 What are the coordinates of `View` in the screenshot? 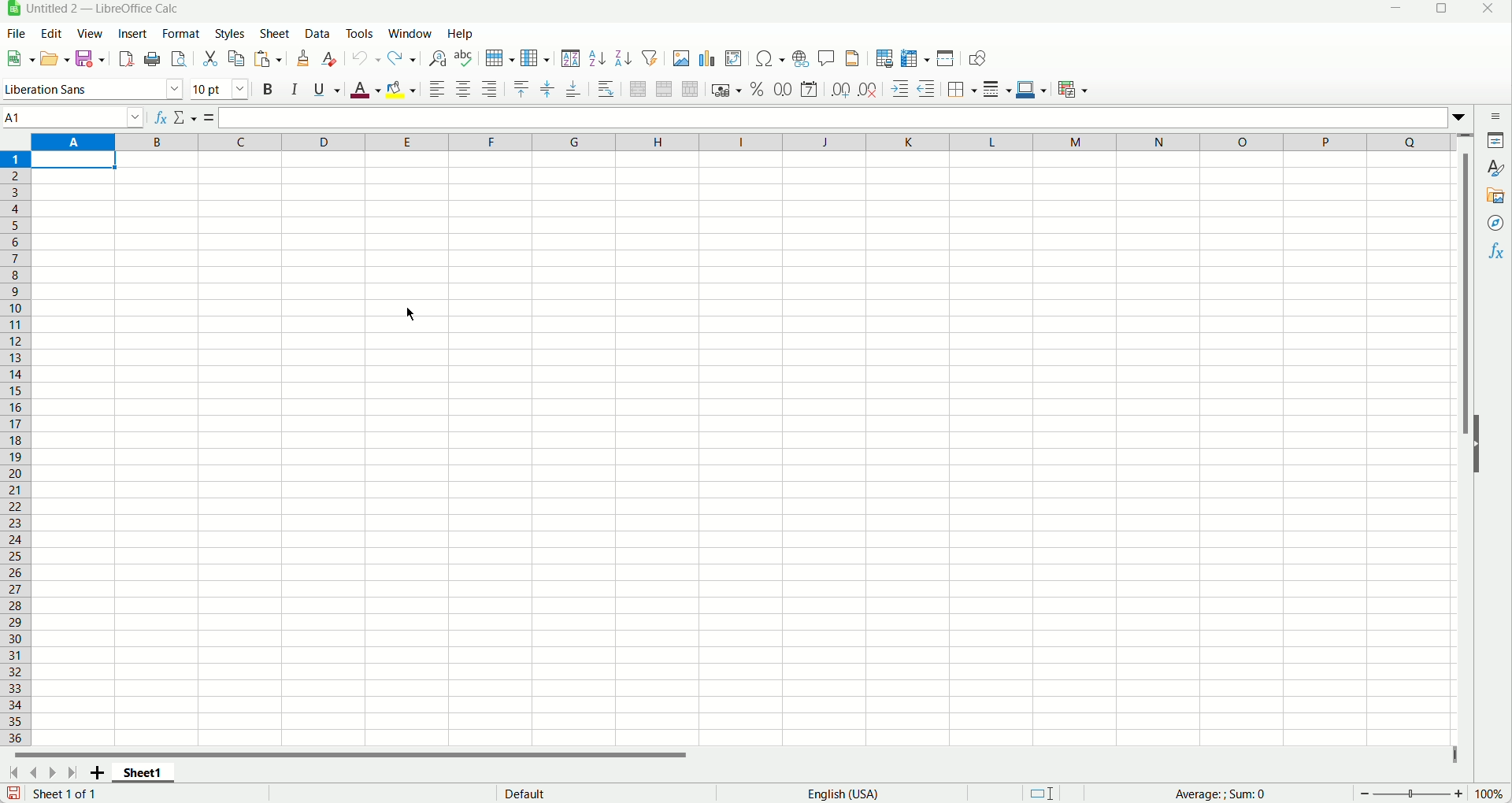 It's located at (89, 33).